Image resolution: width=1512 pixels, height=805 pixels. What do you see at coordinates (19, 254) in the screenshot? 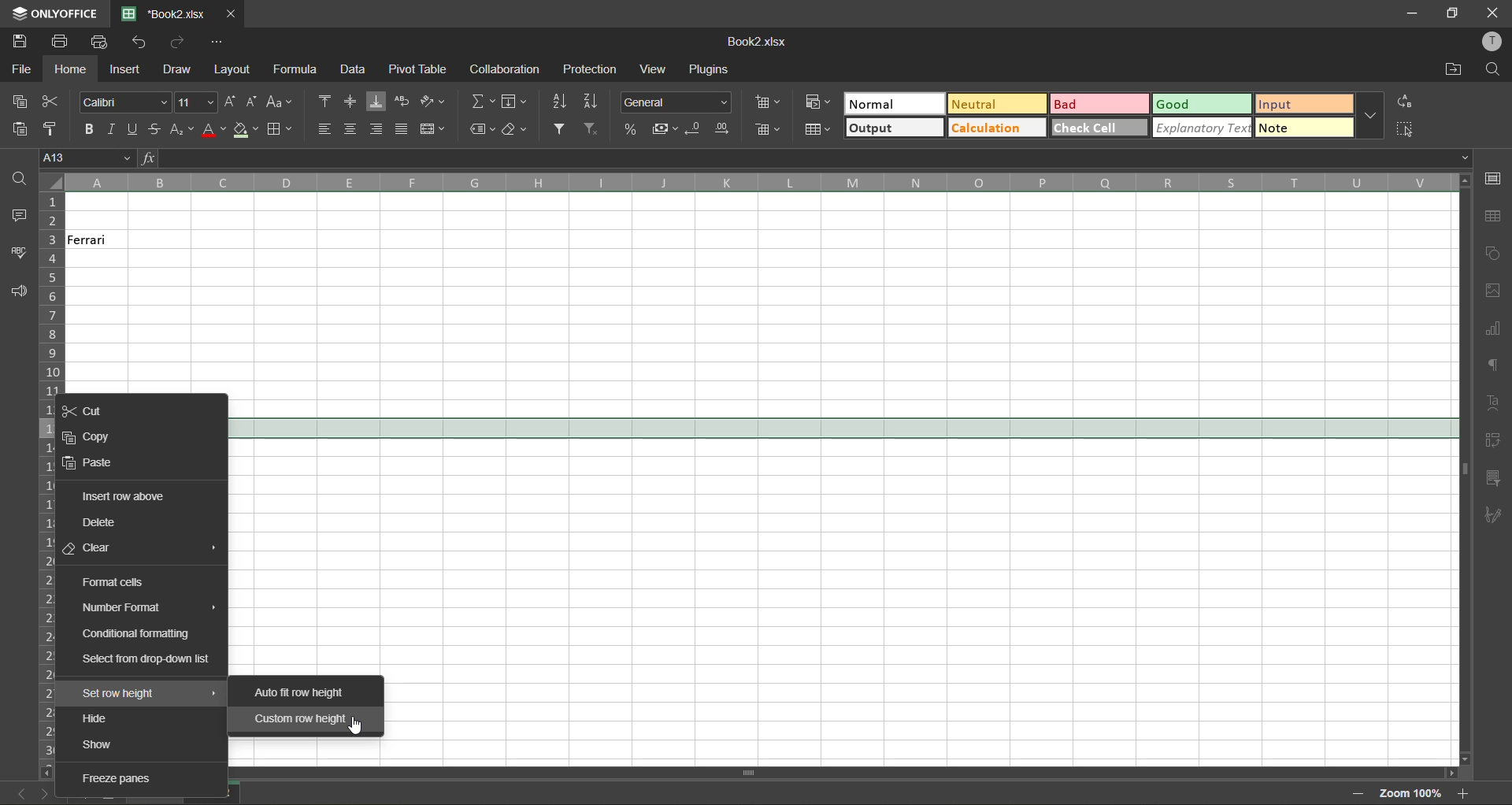
I see `spellcheck` at bounding box center [19, 254].